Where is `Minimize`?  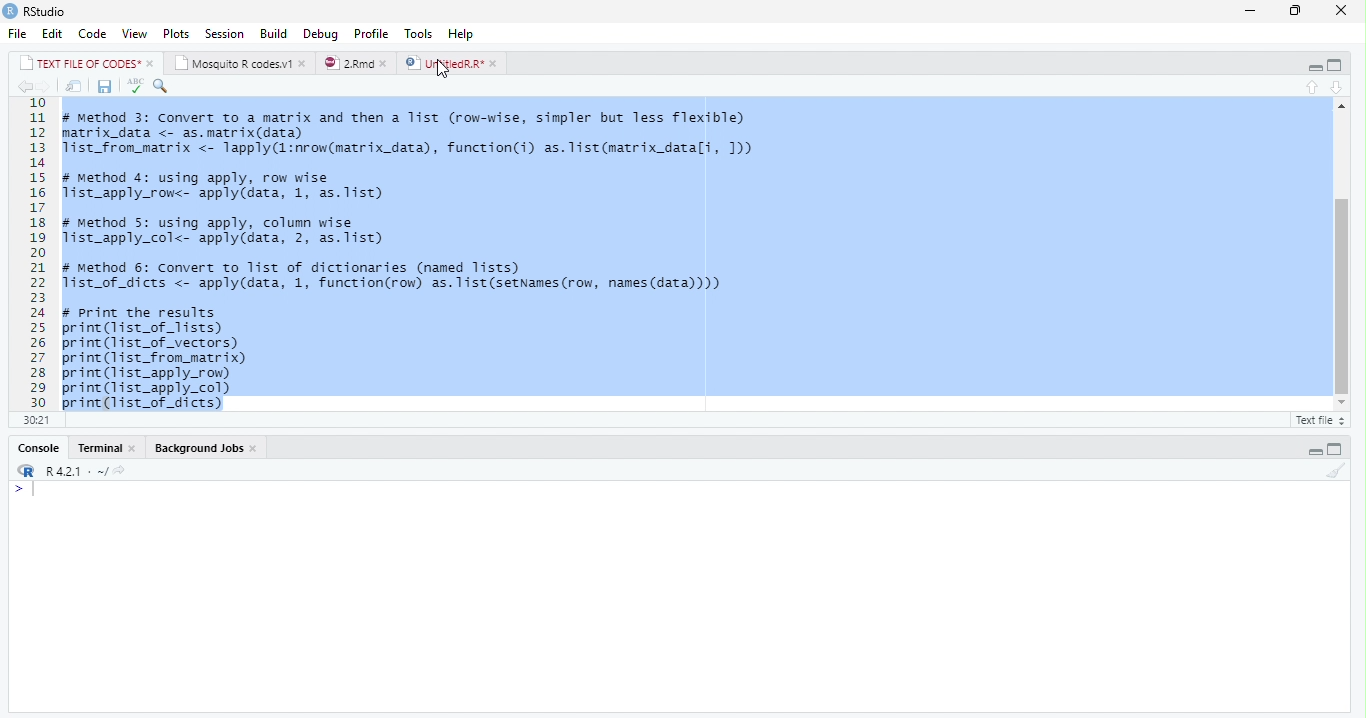
Minimize is located at coordinates (1251, 10).